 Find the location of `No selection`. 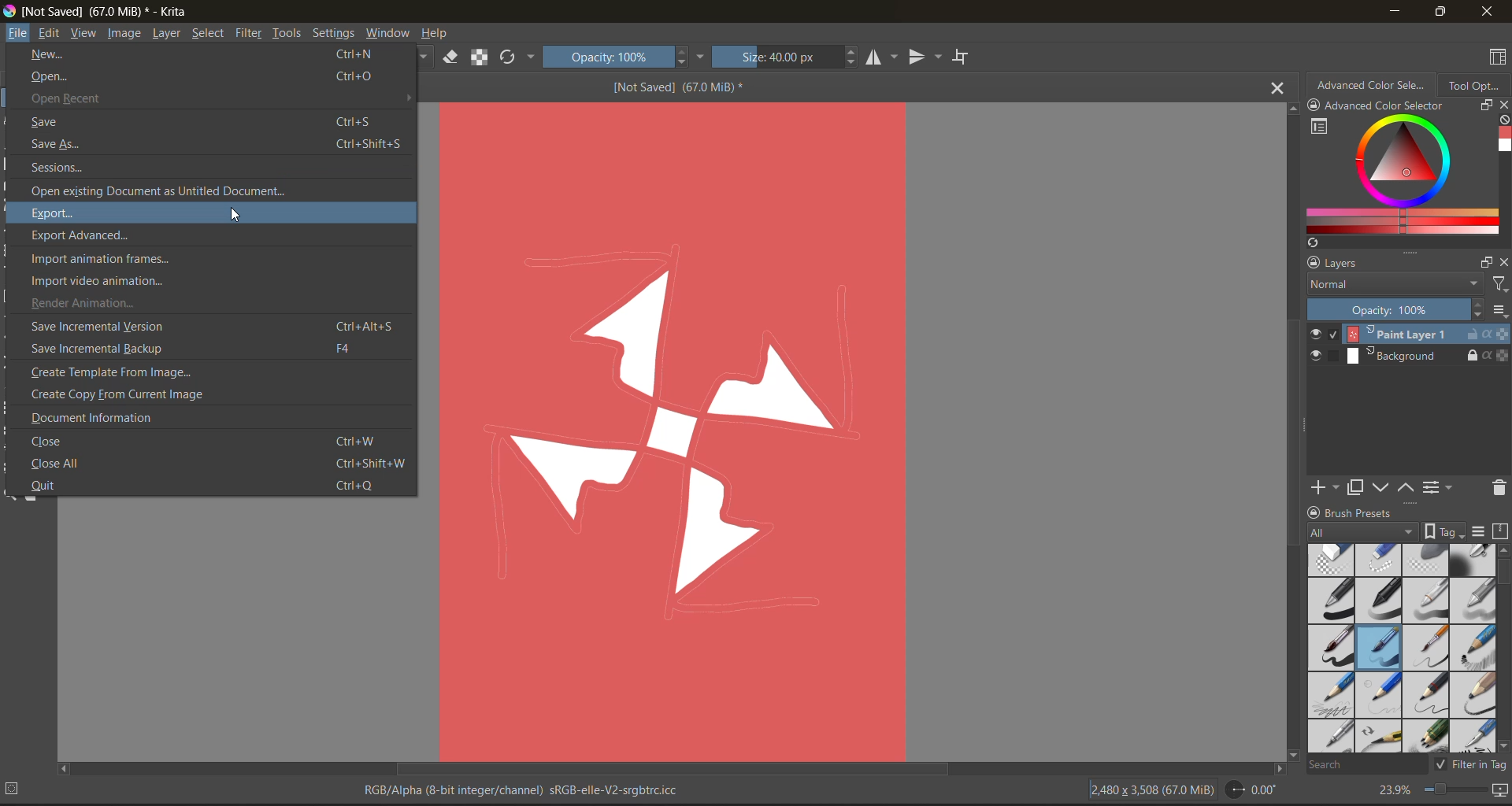

No selection is located at coordinates (17, 789).